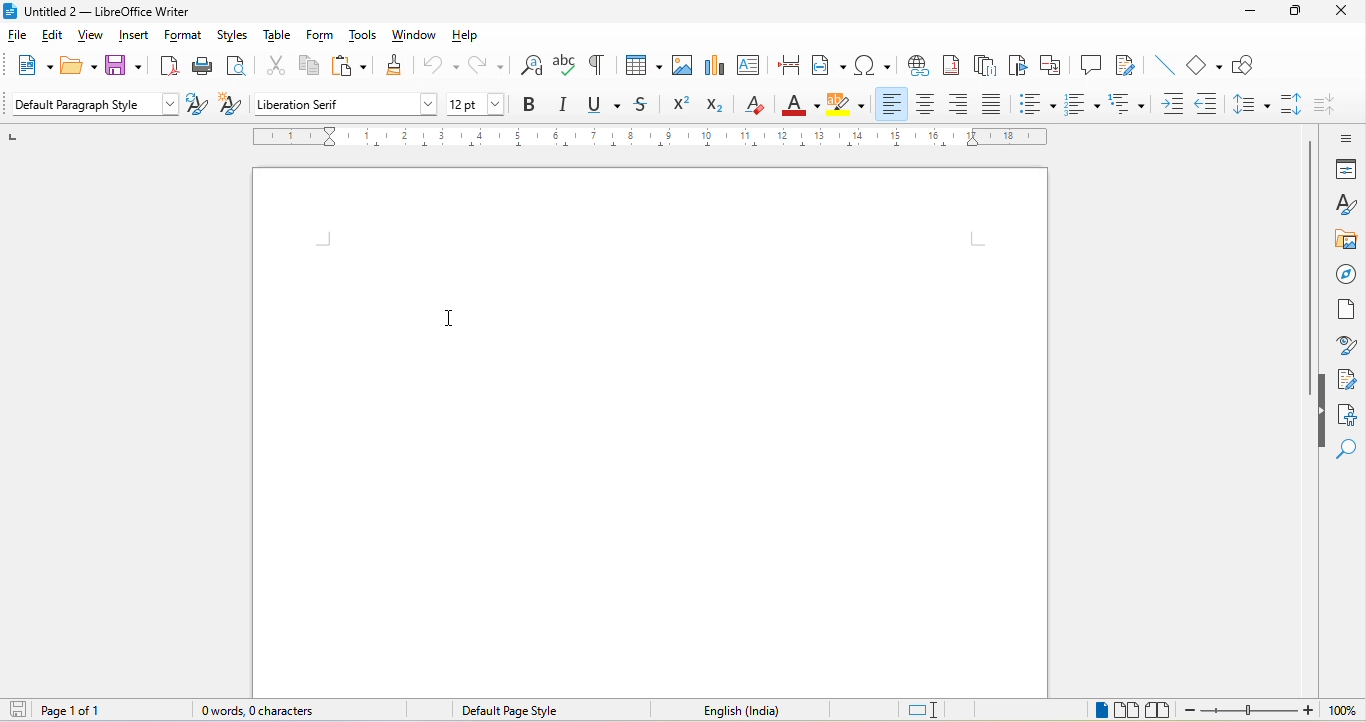 The width and height of the screenshot is (1366, 722). I want to click on gallery art, so click(1345, 241).